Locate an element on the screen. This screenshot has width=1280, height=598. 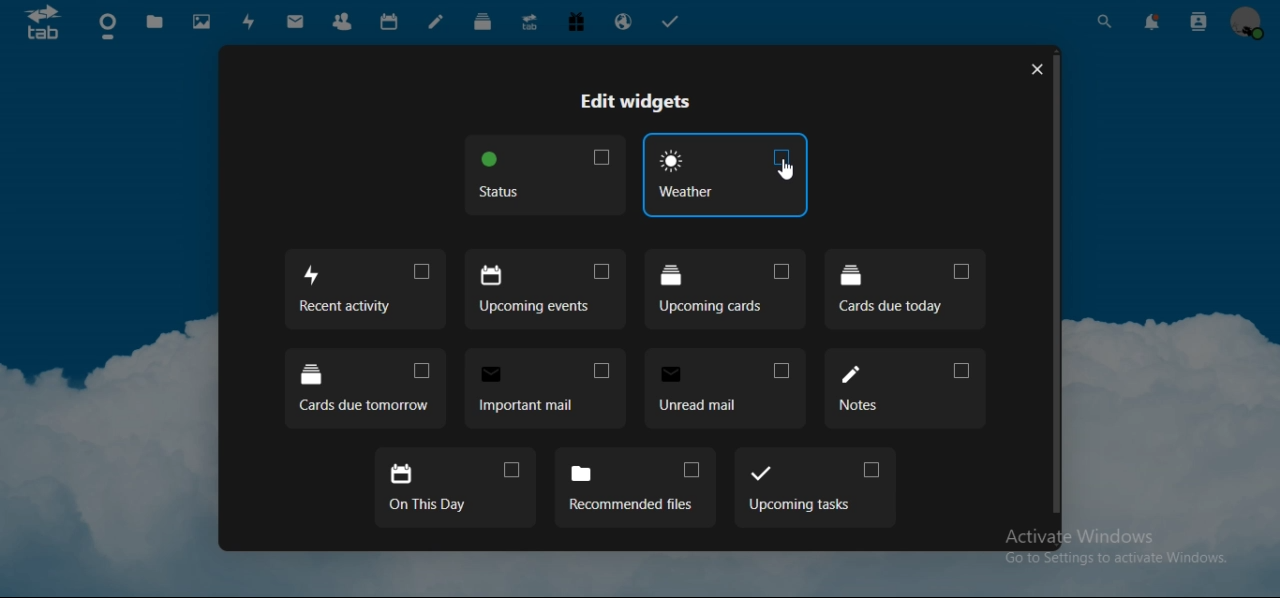
calendar is located at coordinates (390, 22).